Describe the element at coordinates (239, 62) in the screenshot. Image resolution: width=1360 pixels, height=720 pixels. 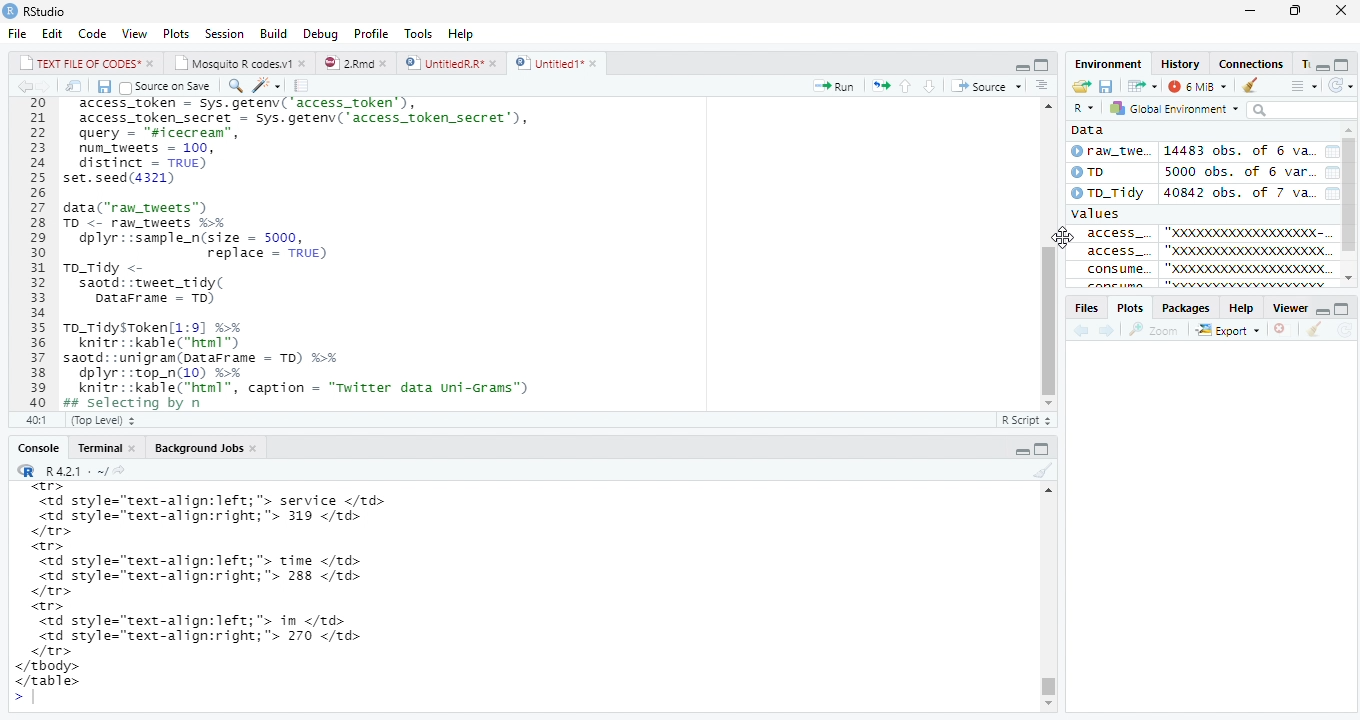
I see `| Mosauito R codes.y!` at that location.